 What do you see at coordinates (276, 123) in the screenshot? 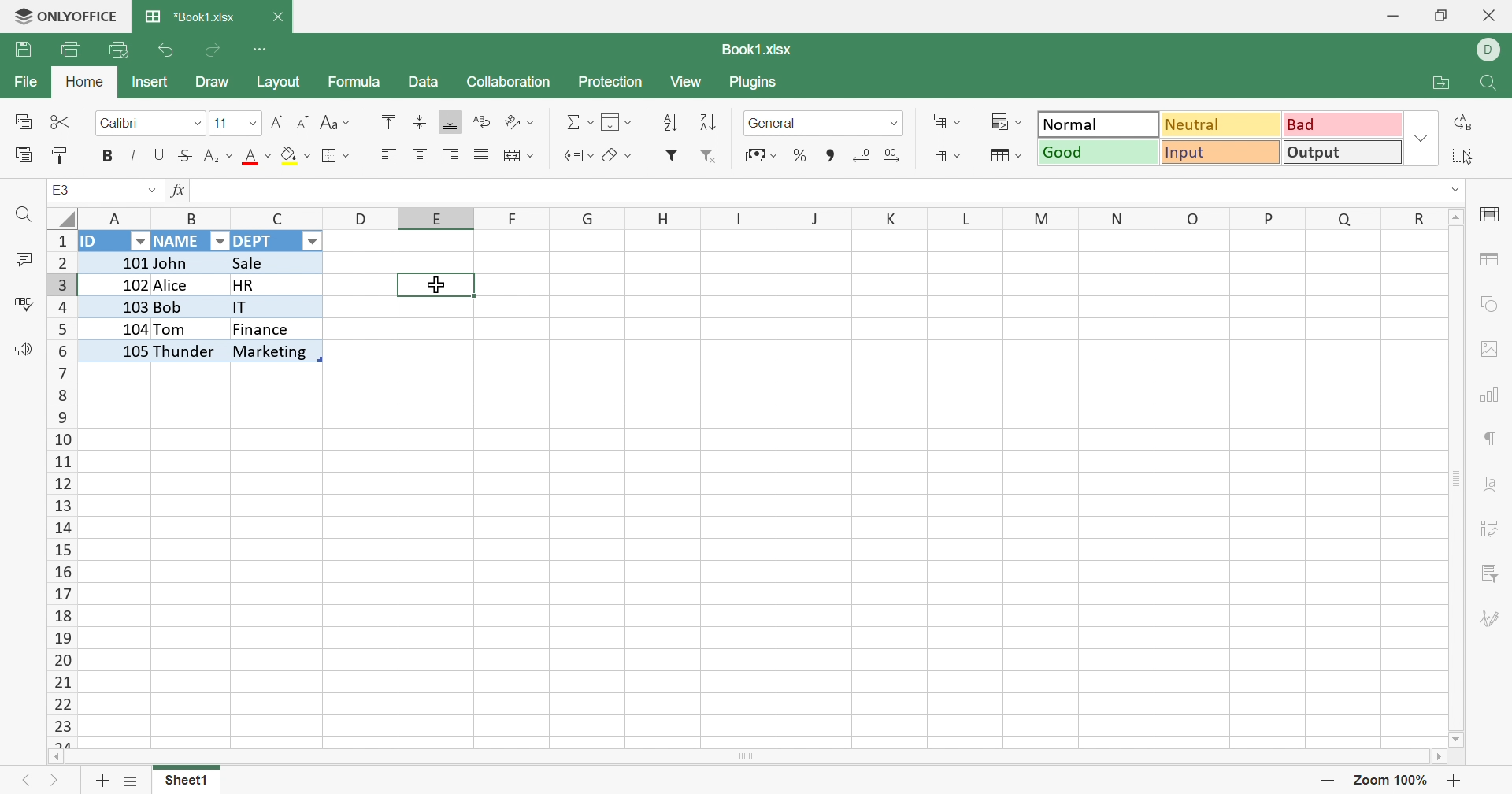
I see `Increment font size` at bounding box center [276, 123].